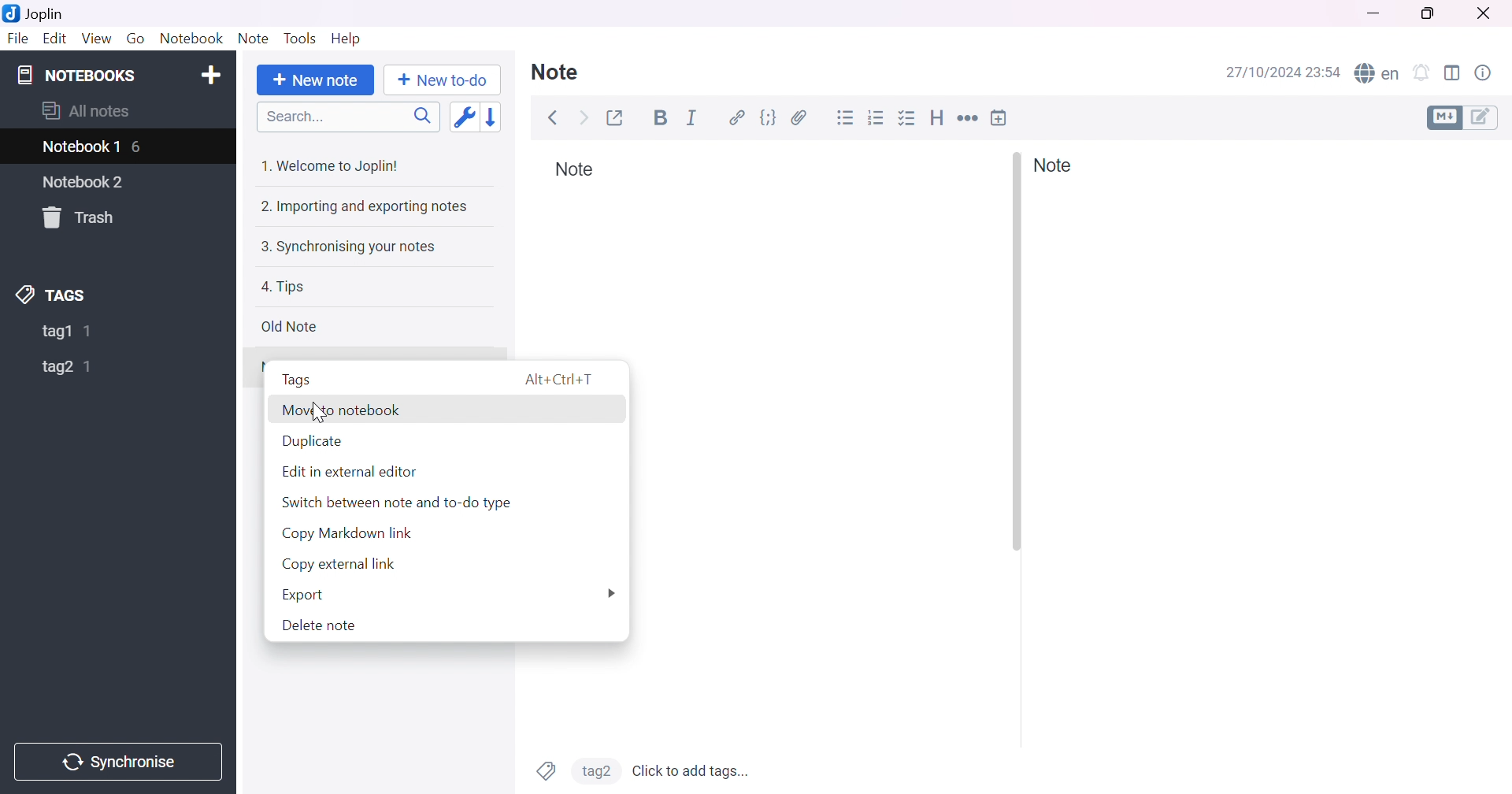  What do you see at coordinates (847, 119) in the screenshot?
I see `Bulleted list` at bounding box center [847, 119].